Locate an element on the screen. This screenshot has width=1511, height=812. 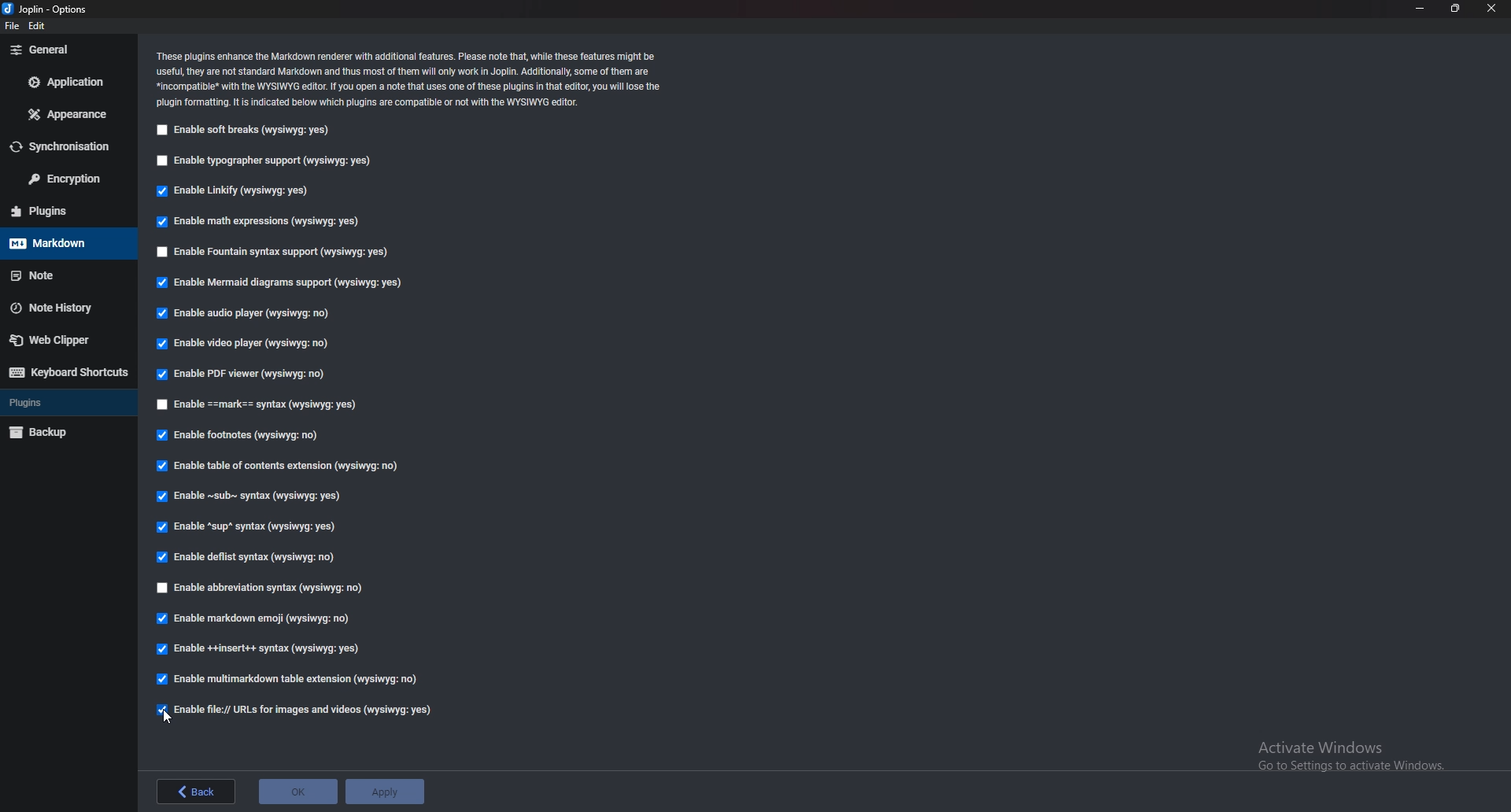
Activate Windows
Go to Settings to activate Windows. is located at coordinates (1345, 751).